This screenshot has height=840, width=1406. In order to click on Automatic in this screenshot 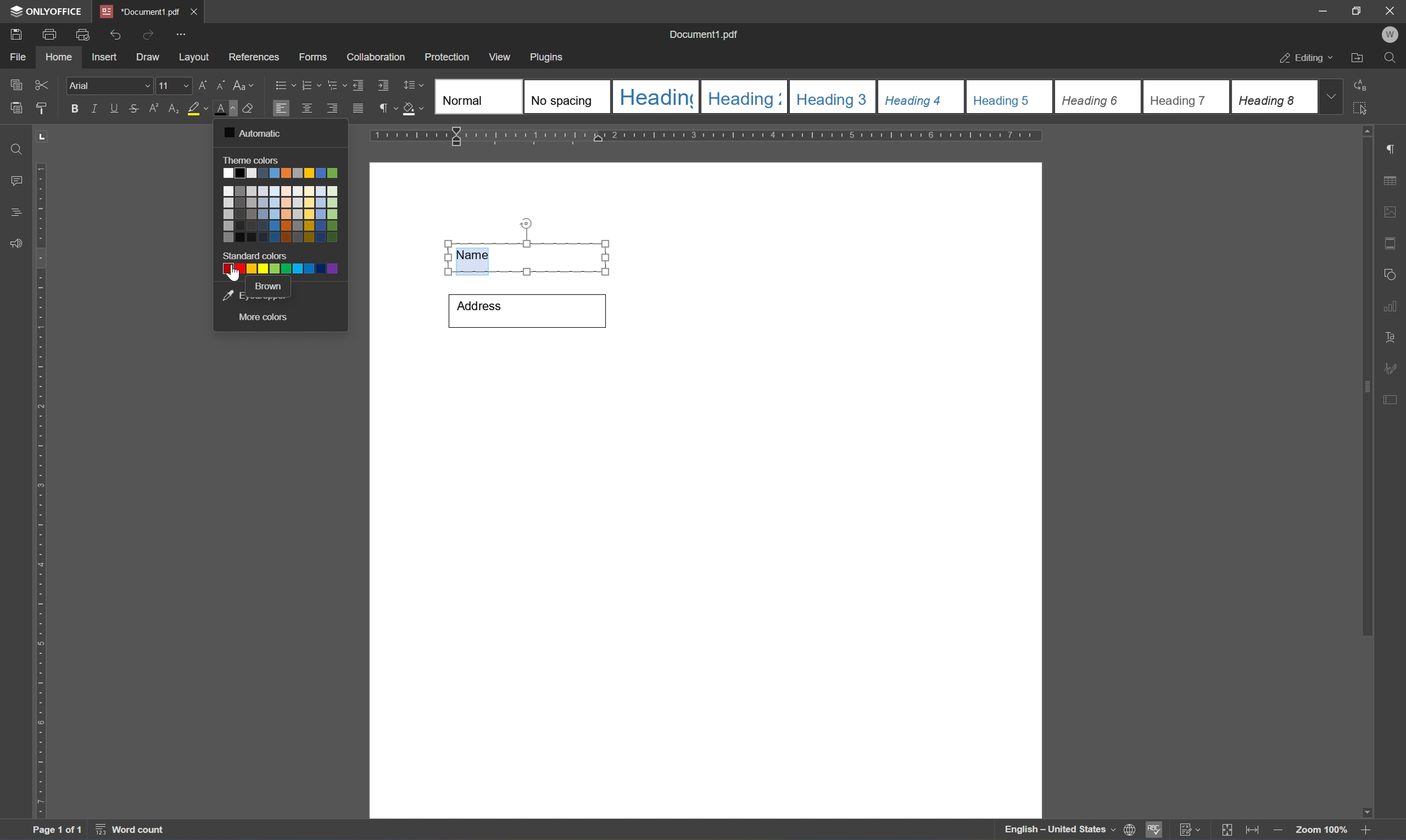, I will do `click(255, 131)`.